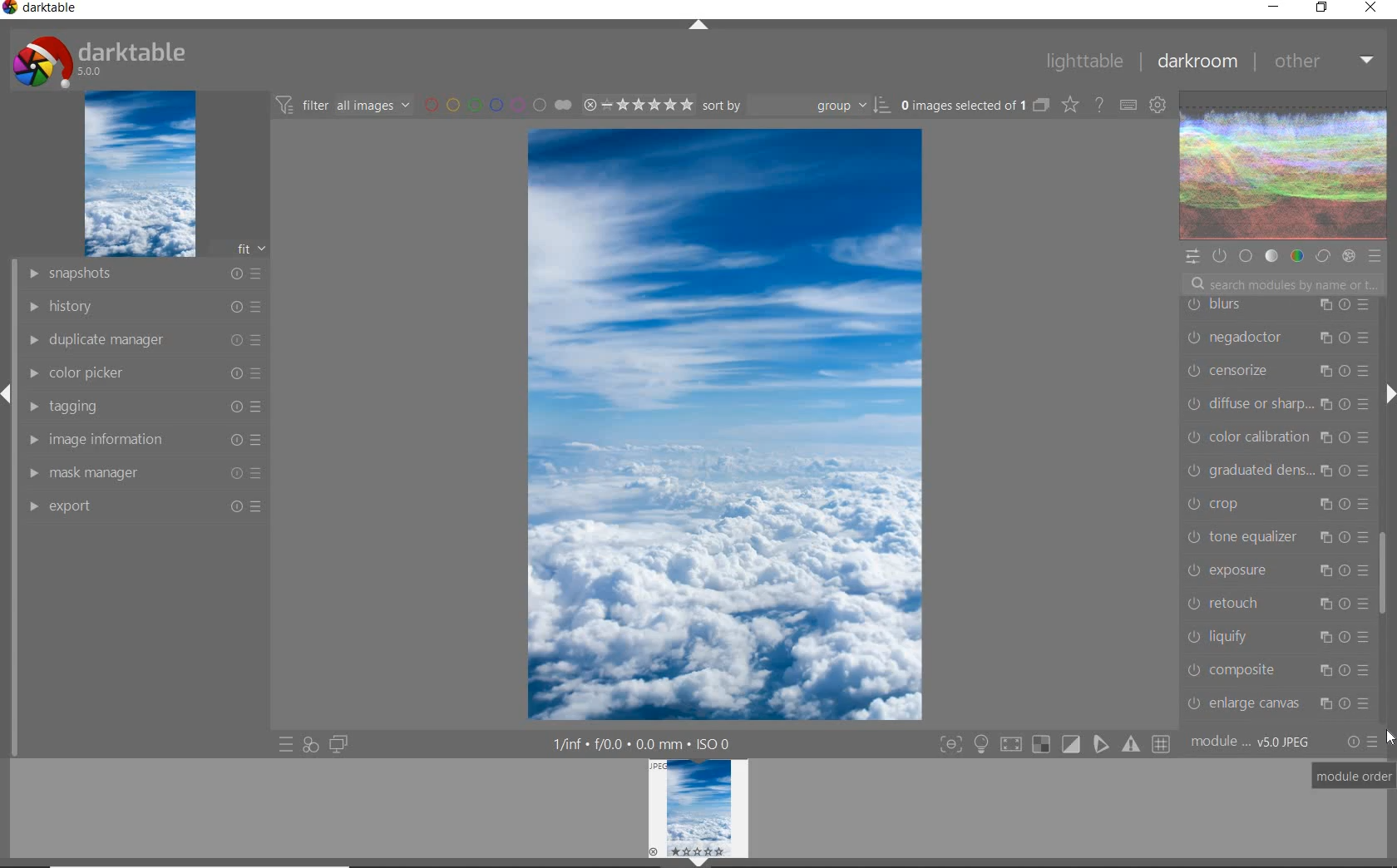 The width and height of the screenshot is (1397, 868). I want to click on QUICK ACCESS PANEL, so click(1192, 254).